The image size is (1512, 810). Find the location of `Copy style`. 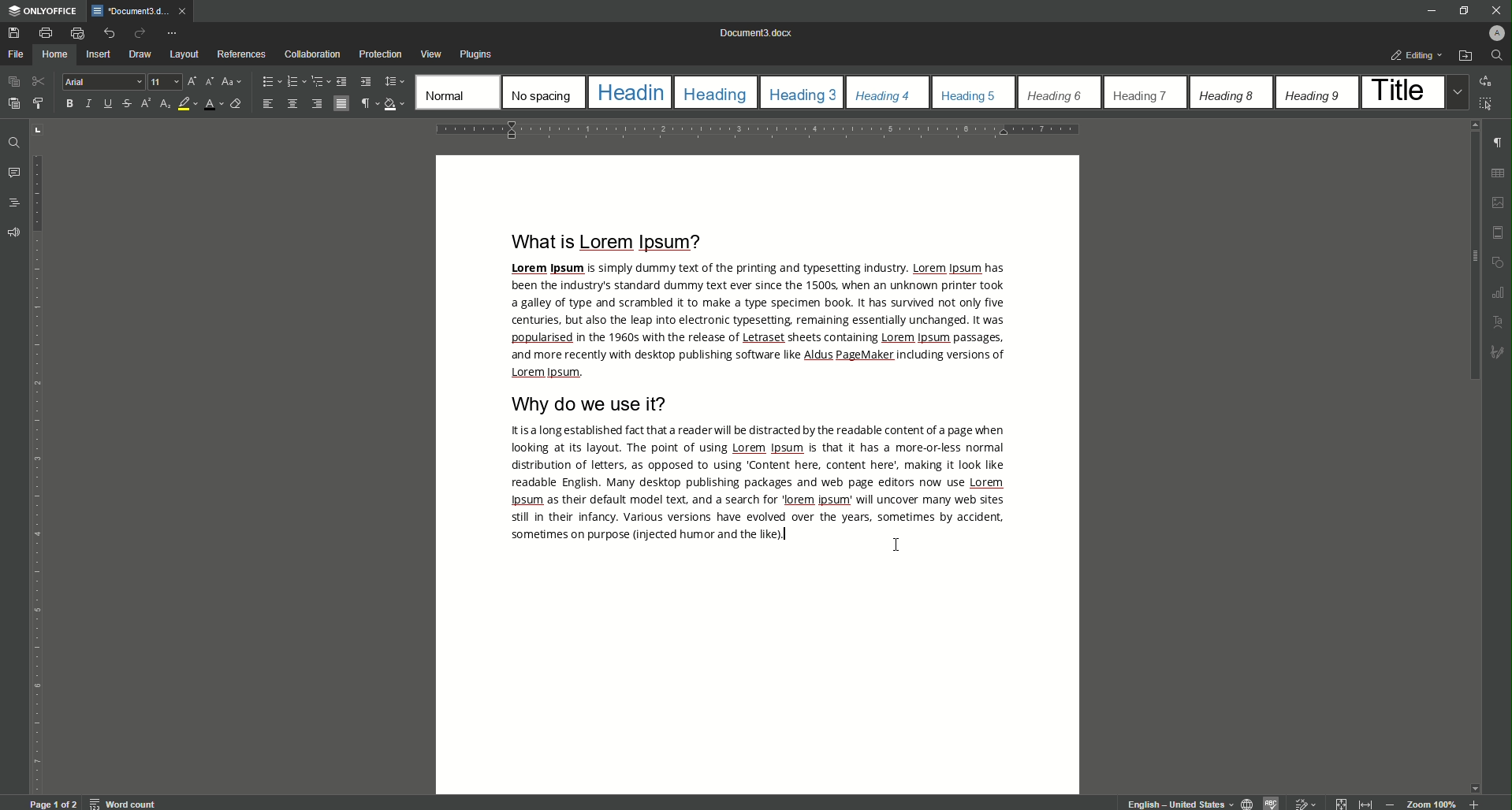

Copy style is located at coordinates (40, 104).